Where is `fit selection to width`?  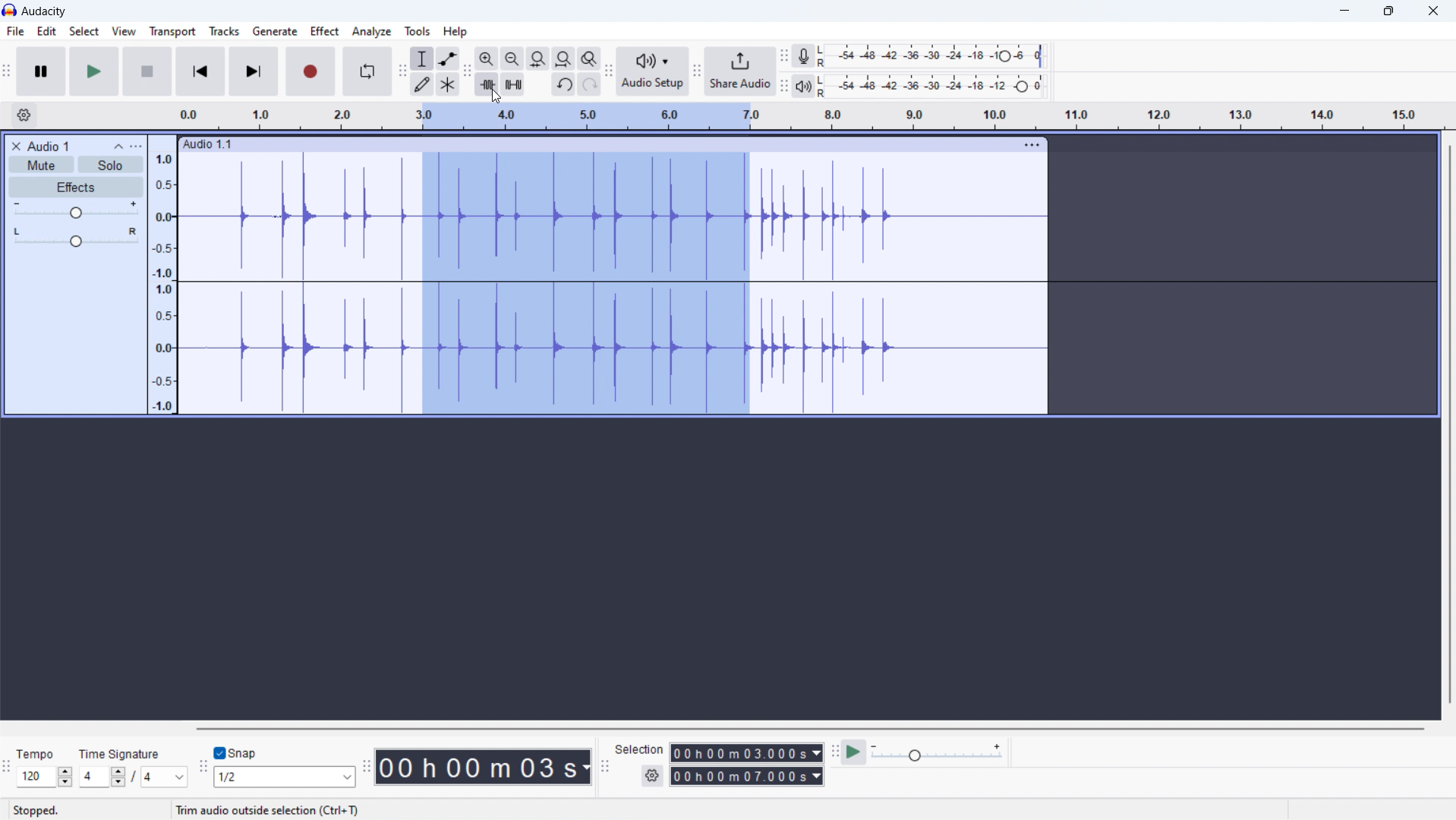 fit selection to width is located at coordinates (537, 58).